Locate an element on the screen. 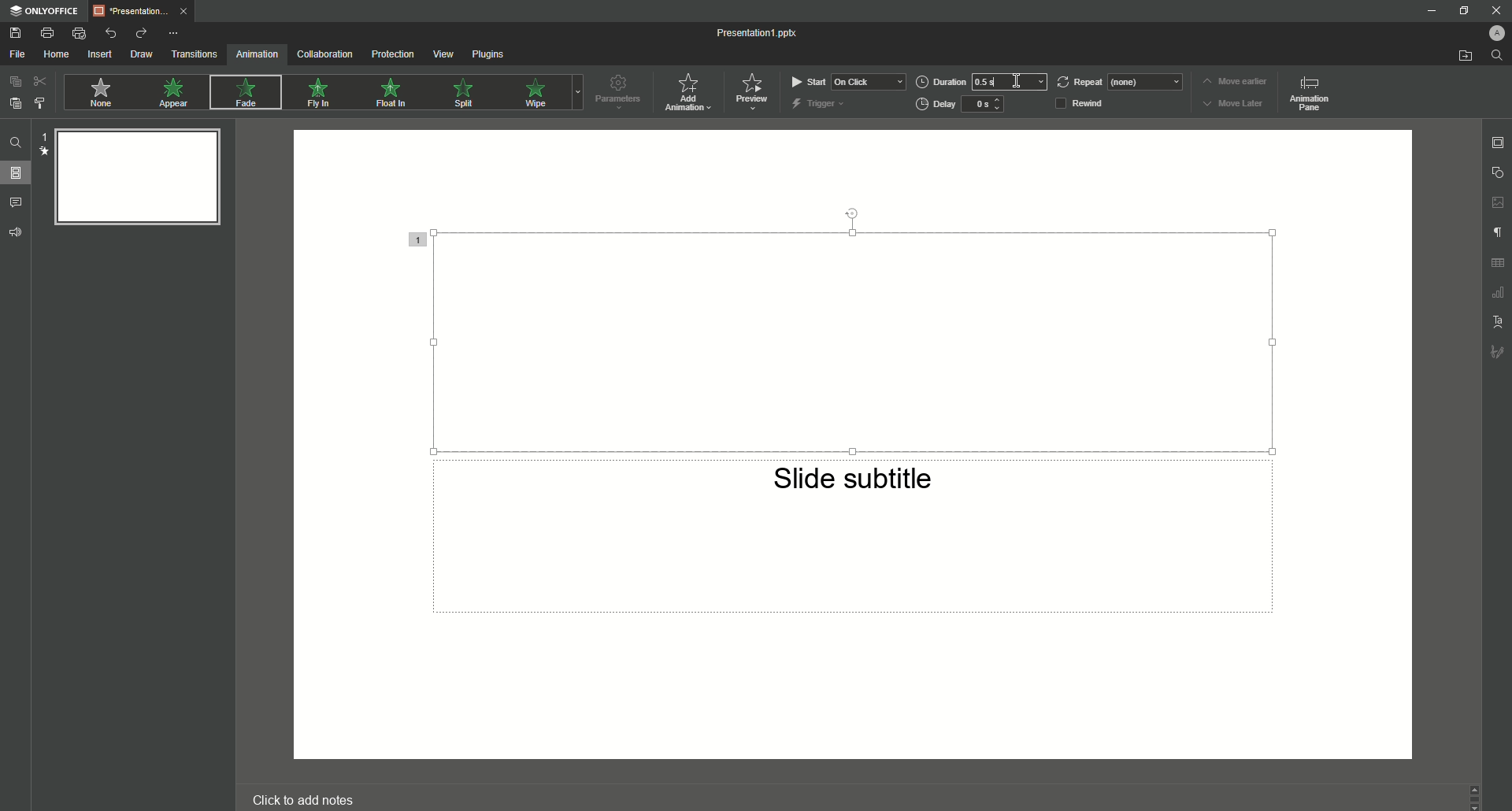 This screenshot has height=811, width=1512. Print is located at coordinates (48, 32).